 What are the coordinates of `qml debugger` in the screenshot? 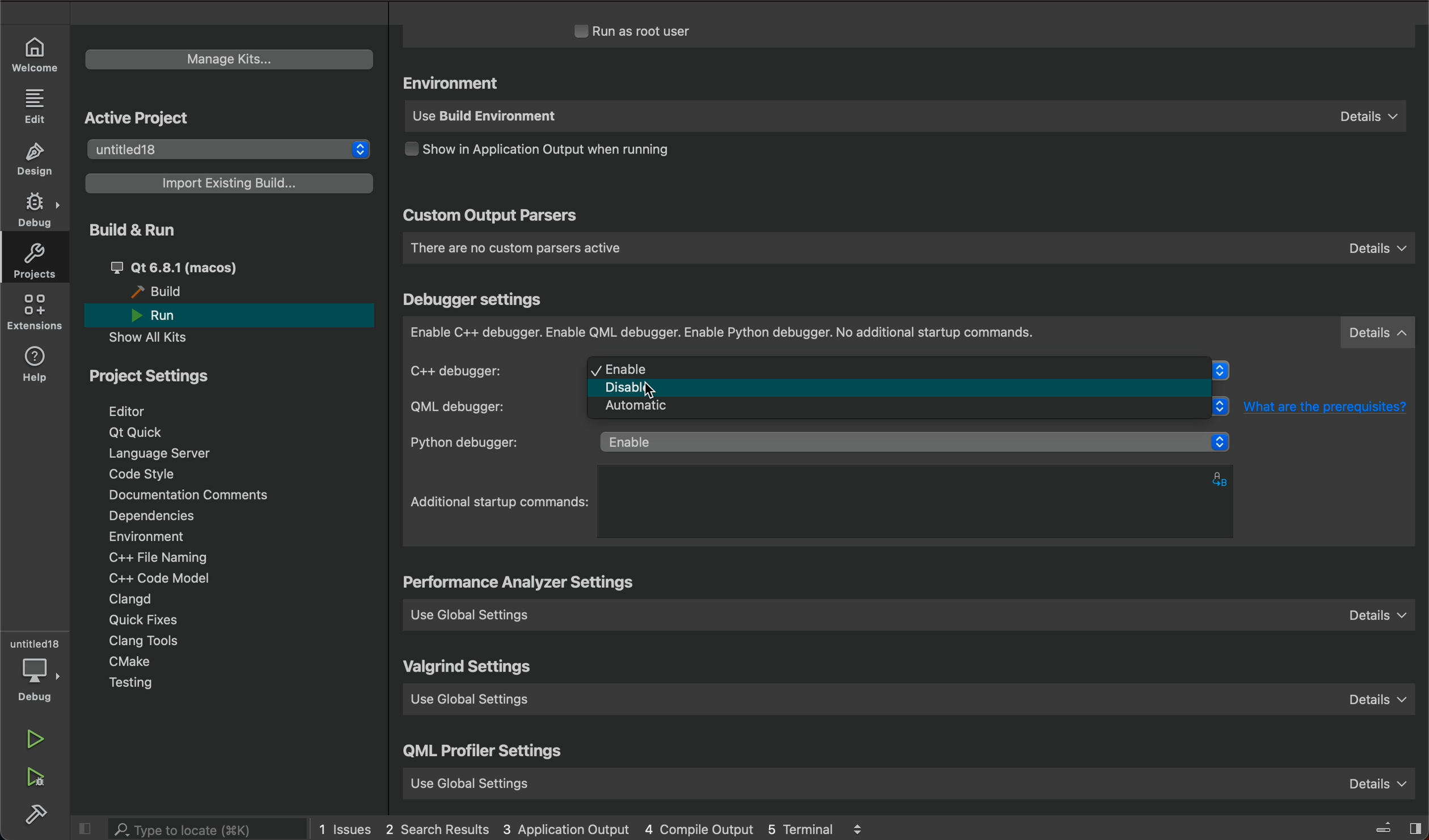 It's located at (485, 407).